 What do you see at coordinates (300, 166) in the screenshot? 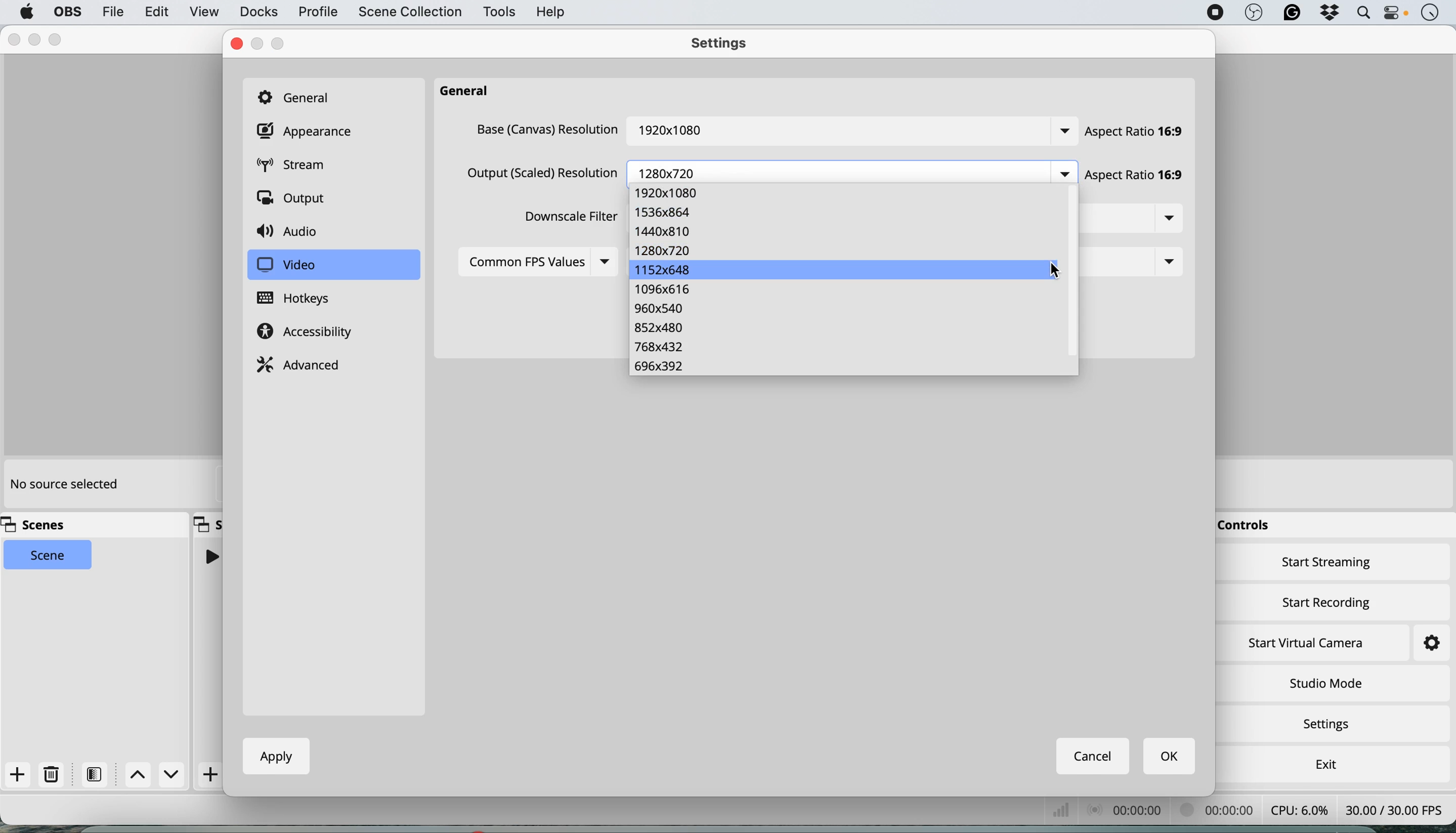
I see `stream` at bounding box center [300, 166].